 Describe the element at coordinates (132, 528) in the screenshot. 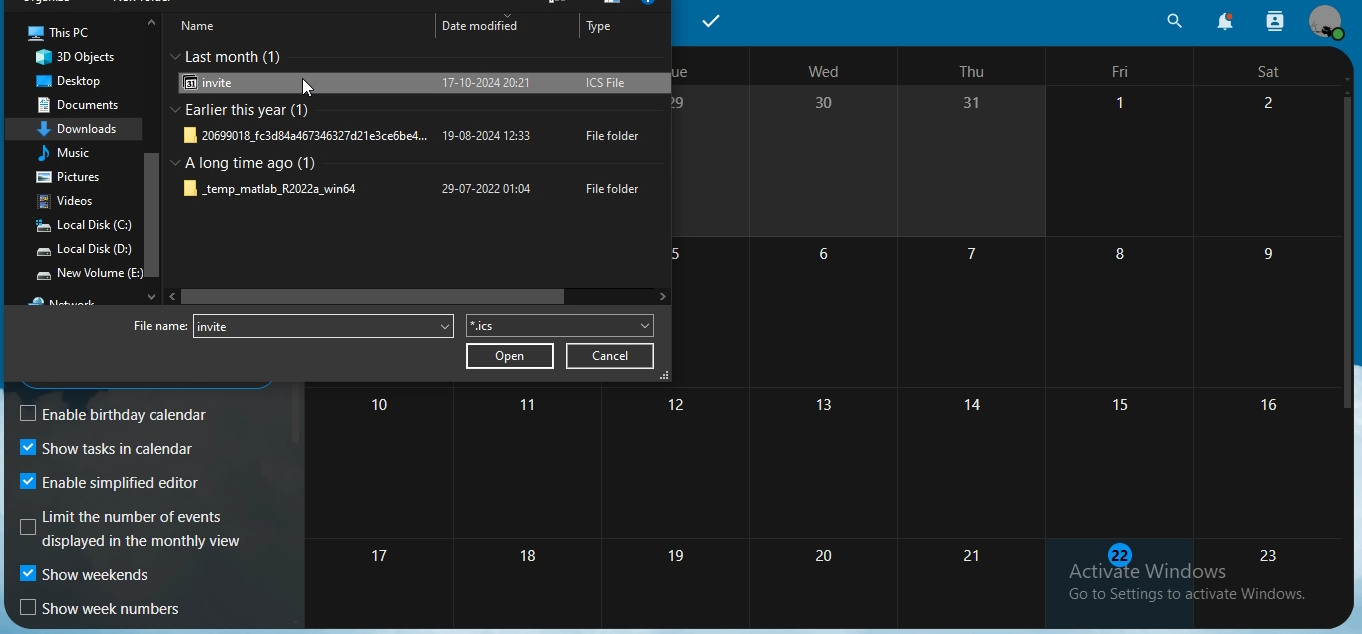

I see `limit the number of events displayed in the monthly view` at that location.